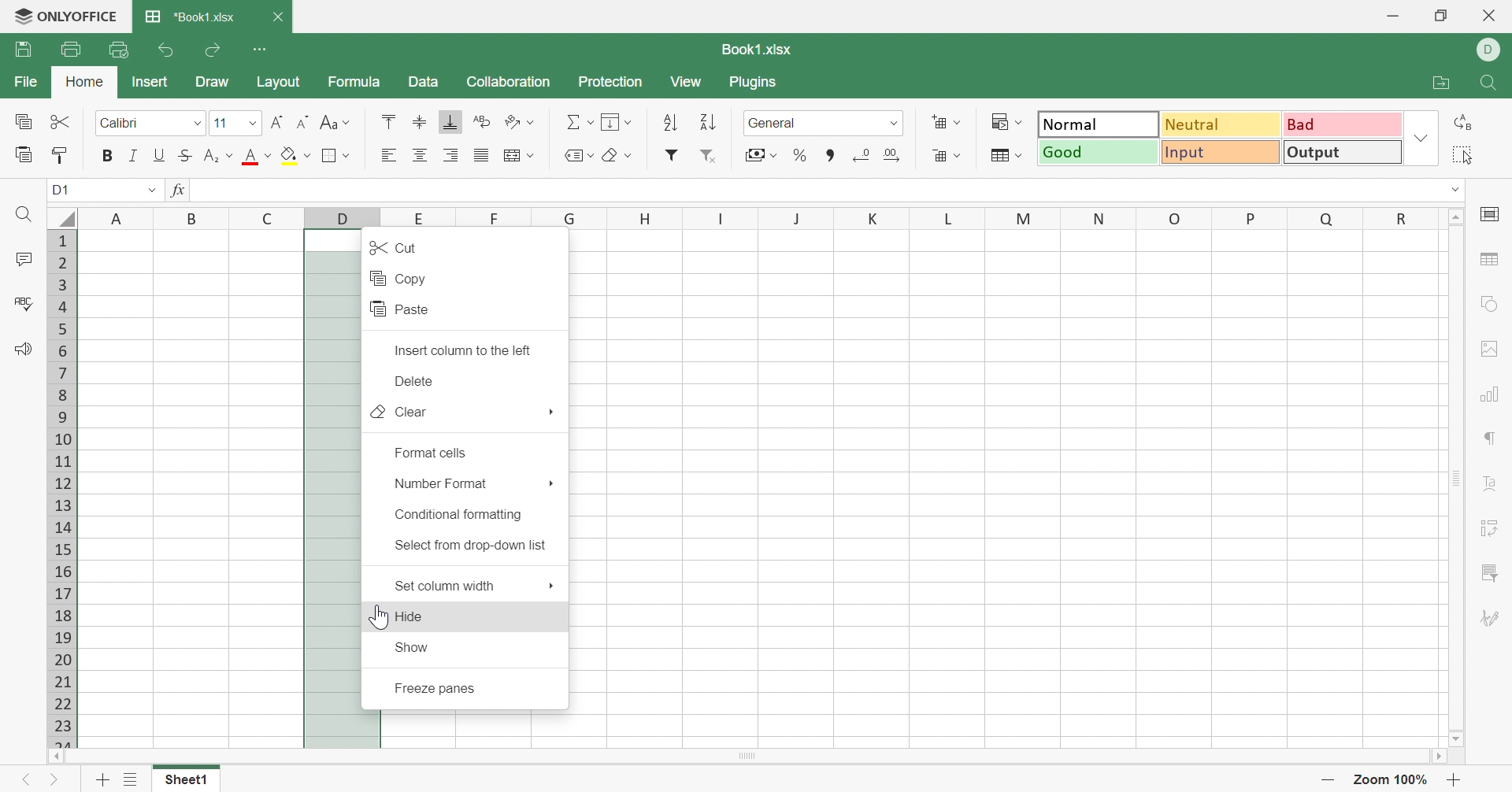  What do you see at coordinates (1343, 152) in the screenshot?
I see `Output` at bounding box center [1343, 152].